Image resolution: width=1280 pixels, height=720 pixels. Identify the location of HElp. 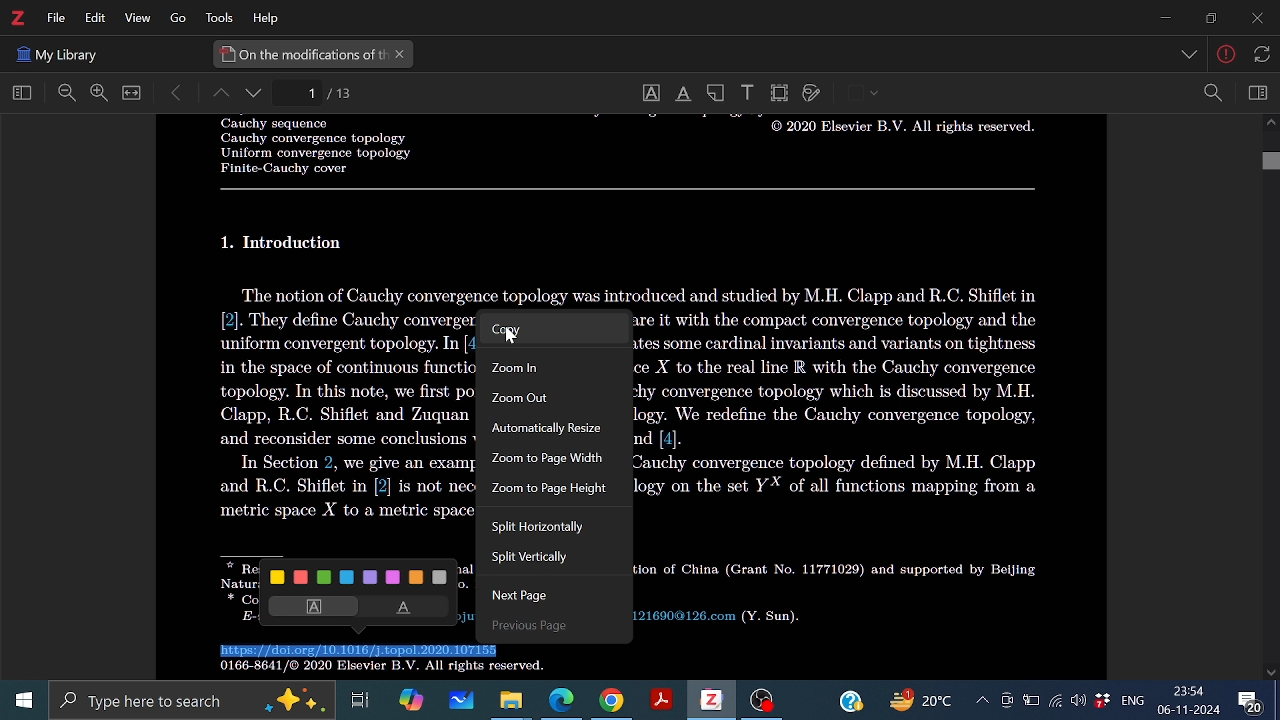
(270, 17).